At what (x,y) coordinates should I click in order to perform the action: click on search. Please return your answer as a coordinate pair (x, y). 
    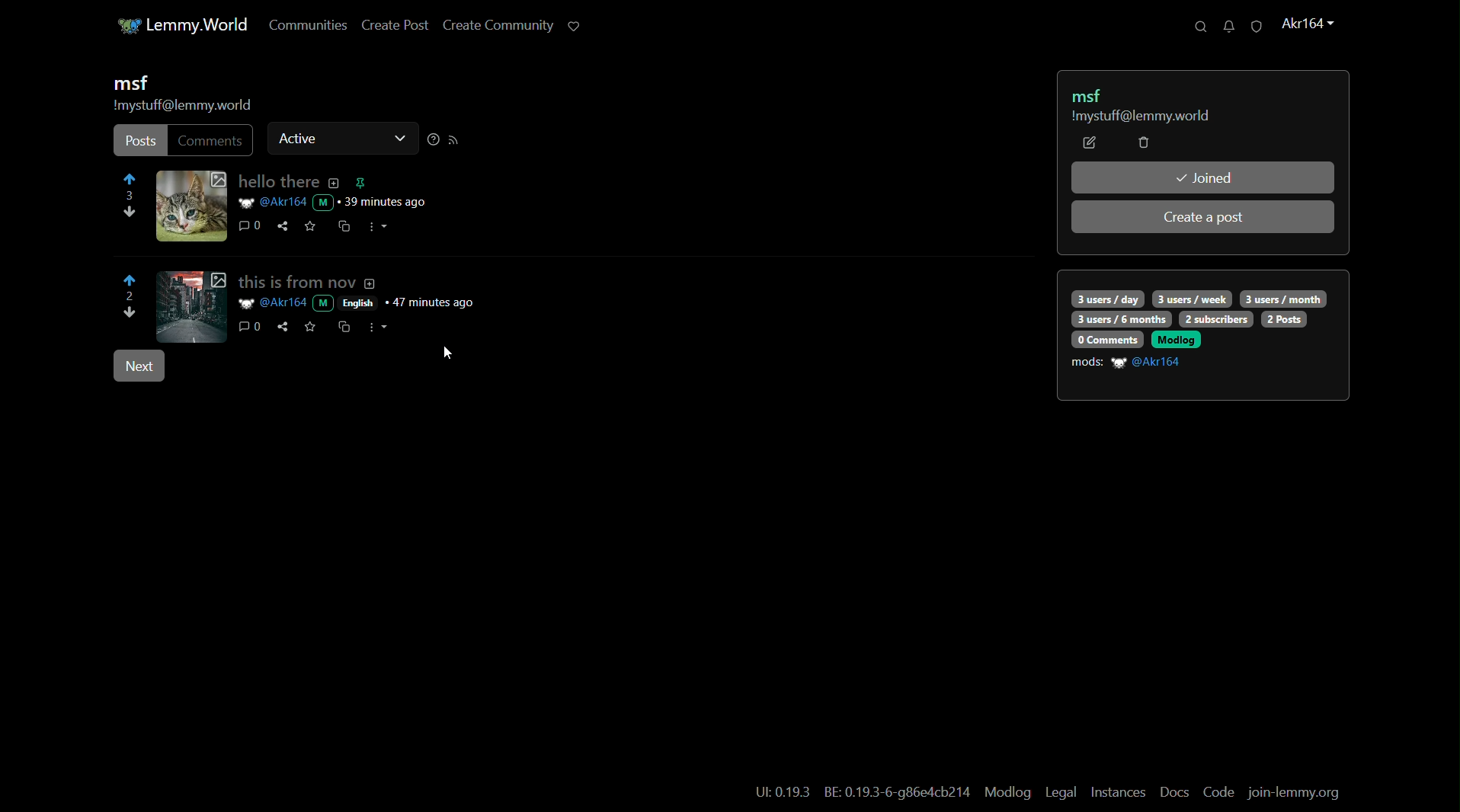
    Looking at the image, I should click on (1194, 27).